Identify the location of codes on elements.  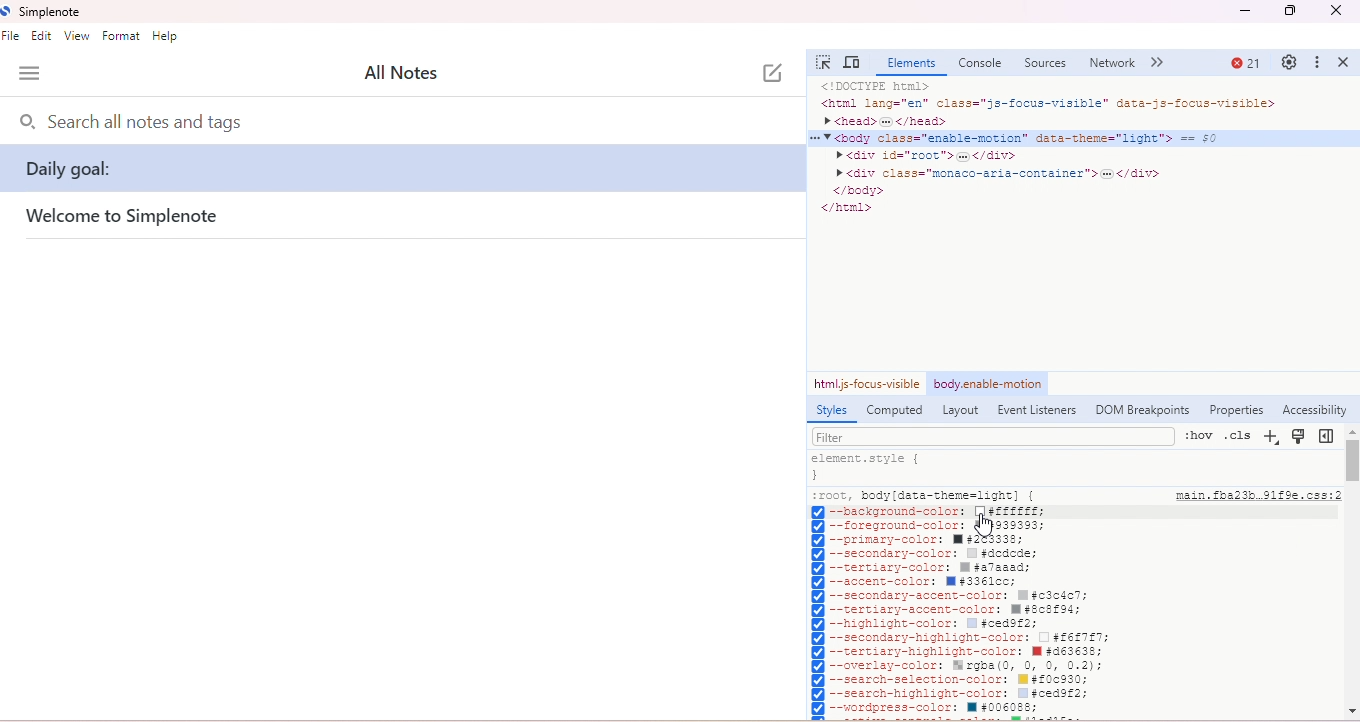
(1068, 159).